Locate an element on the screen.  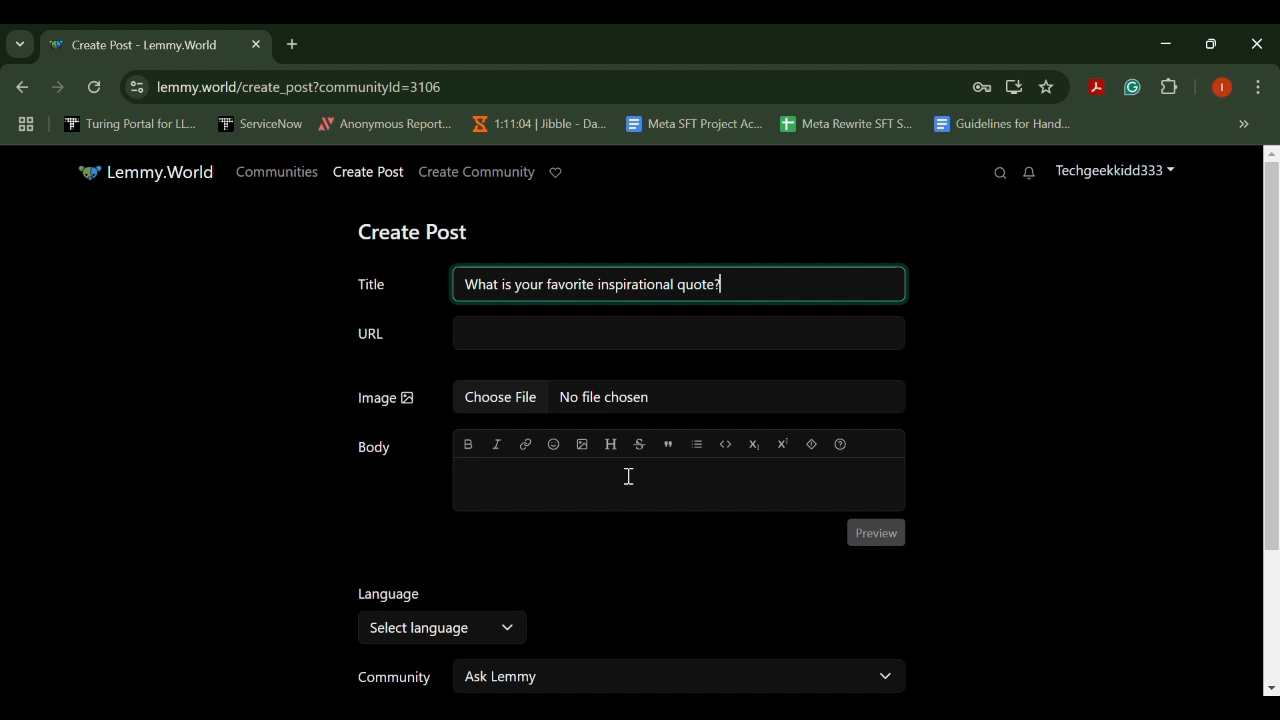
Tab Groups is located at coordinates (23, 125).